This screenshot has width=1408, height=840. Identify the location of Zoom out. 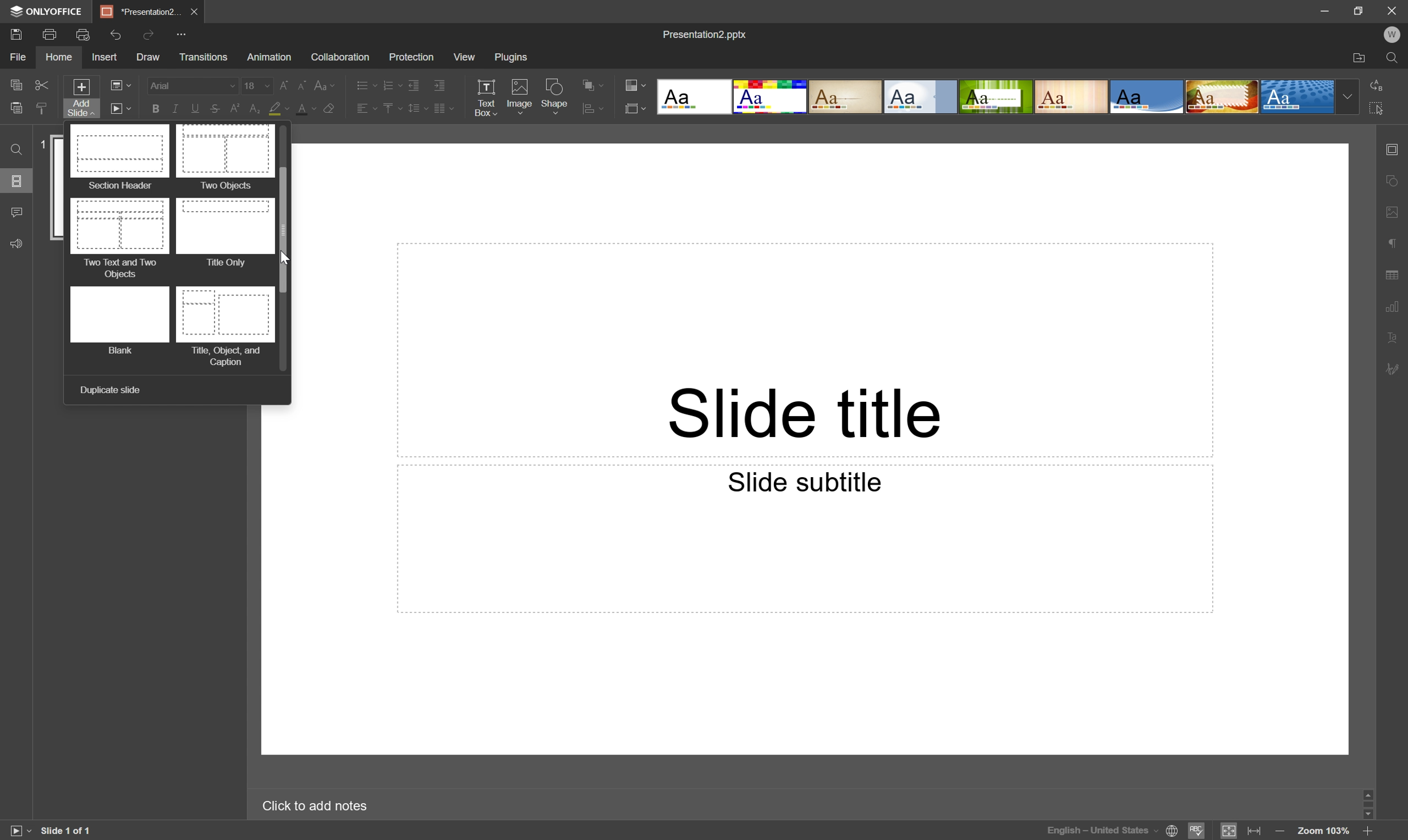
(1279, 830).